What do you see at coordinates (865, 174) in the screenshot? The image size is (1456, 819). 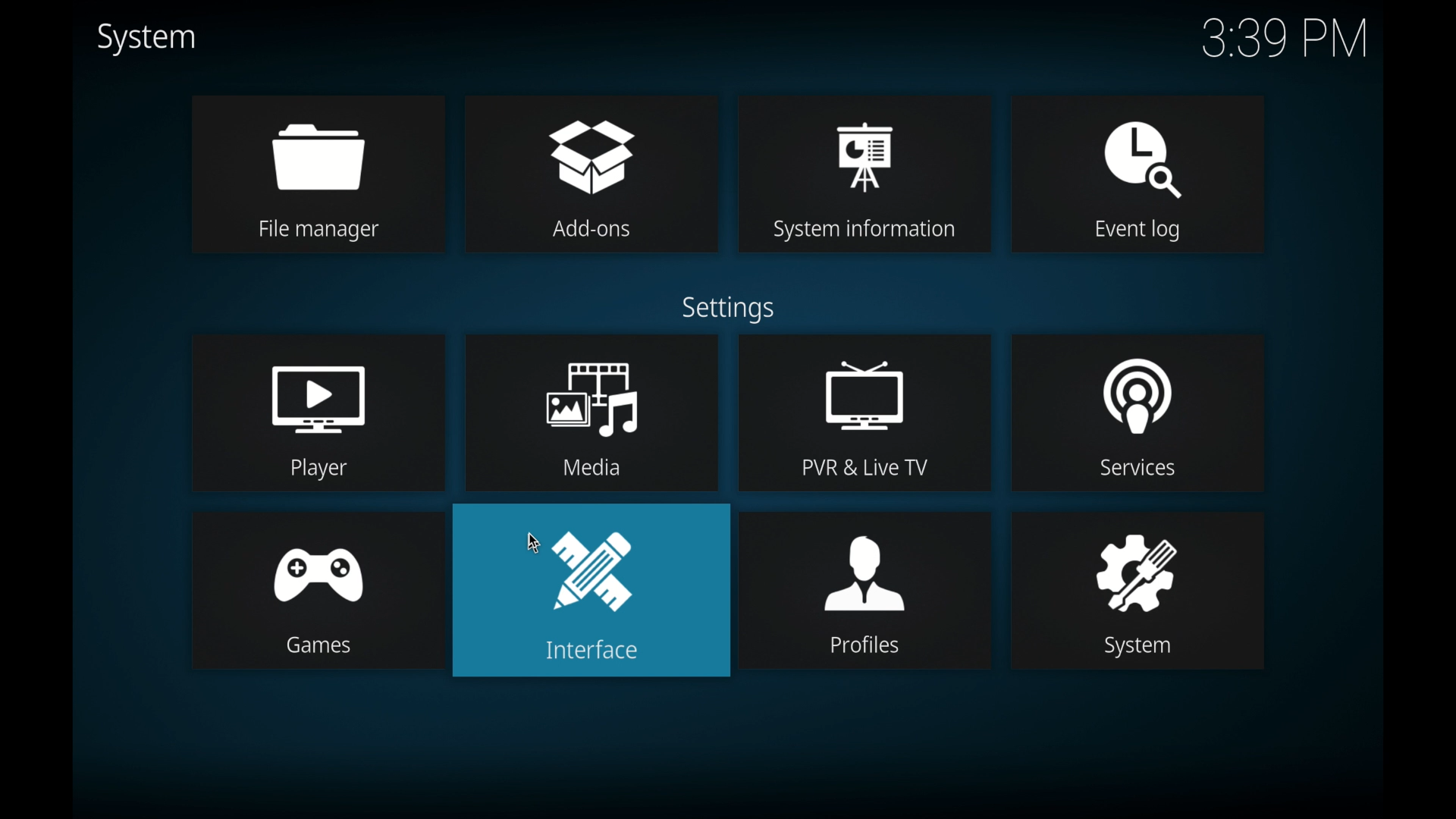 I see `system information` at bounding box center [865, 174].